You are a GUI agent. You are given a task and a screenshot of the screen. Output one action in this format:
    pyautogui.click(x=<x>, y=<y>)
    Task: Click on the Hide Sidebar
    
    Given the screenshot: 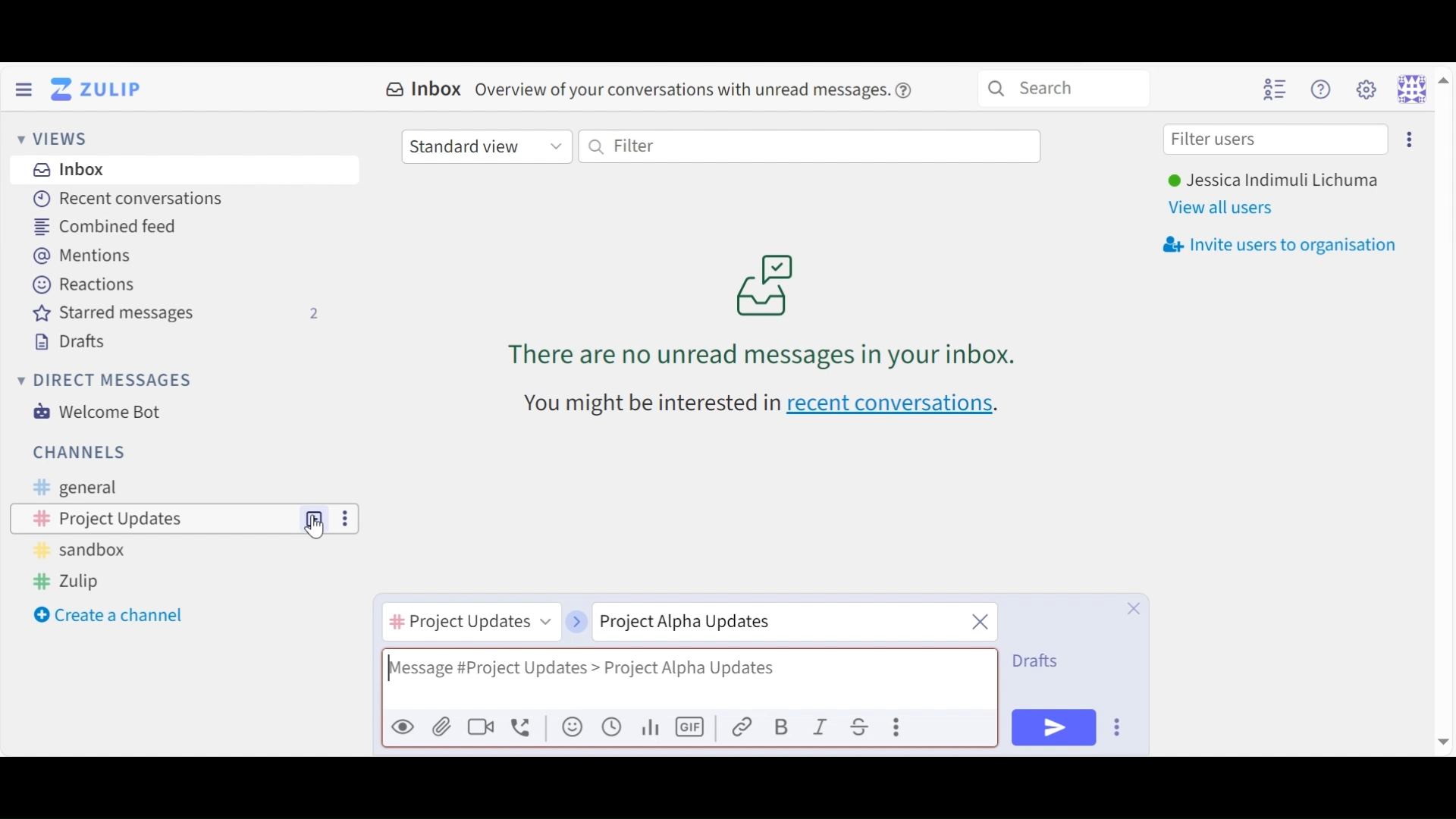 What is the action you would take?
    pyautogui.click(x=24, y=88)
    